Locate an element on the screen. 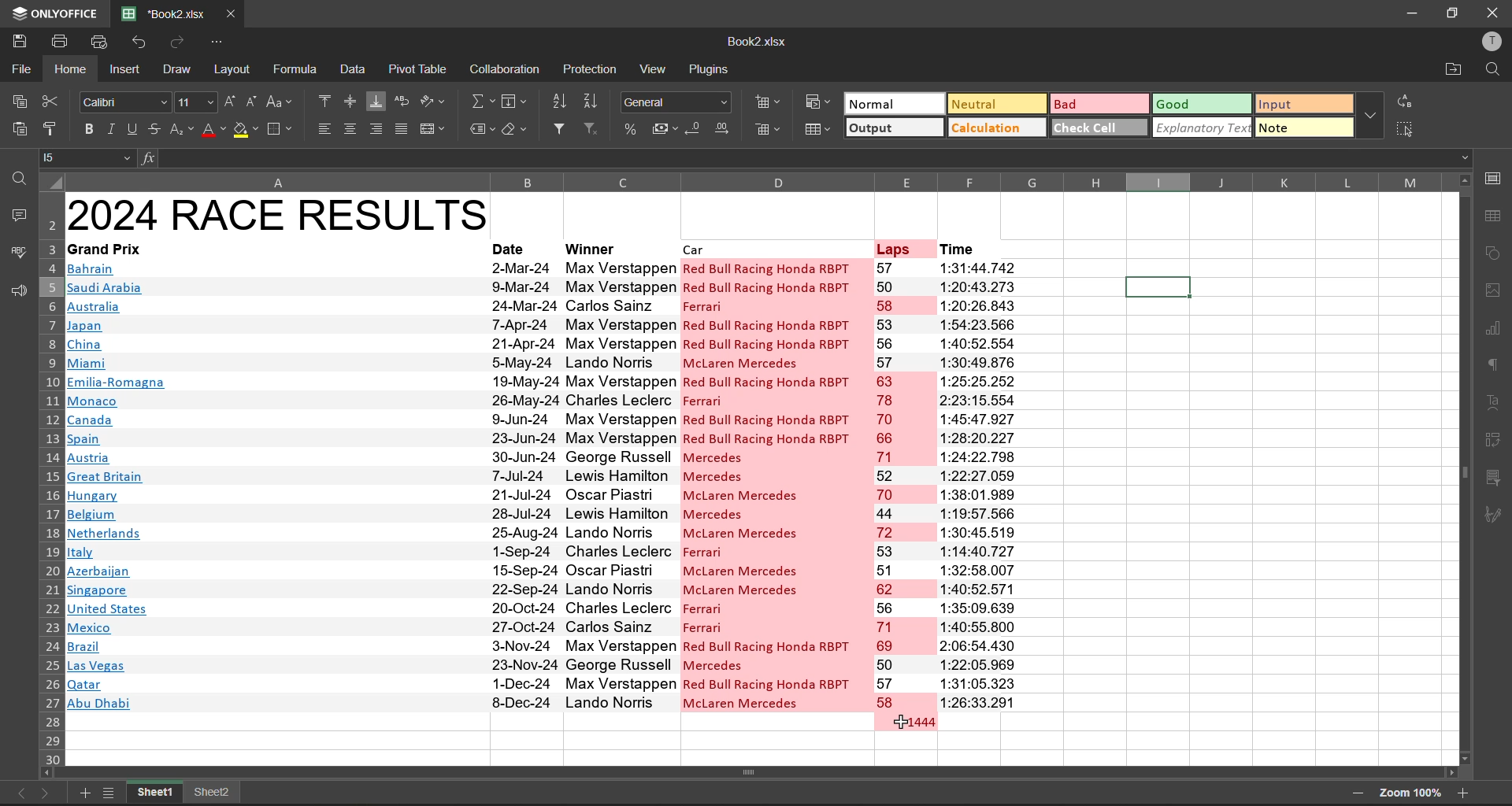  row number is located at coordinates (49, 477).